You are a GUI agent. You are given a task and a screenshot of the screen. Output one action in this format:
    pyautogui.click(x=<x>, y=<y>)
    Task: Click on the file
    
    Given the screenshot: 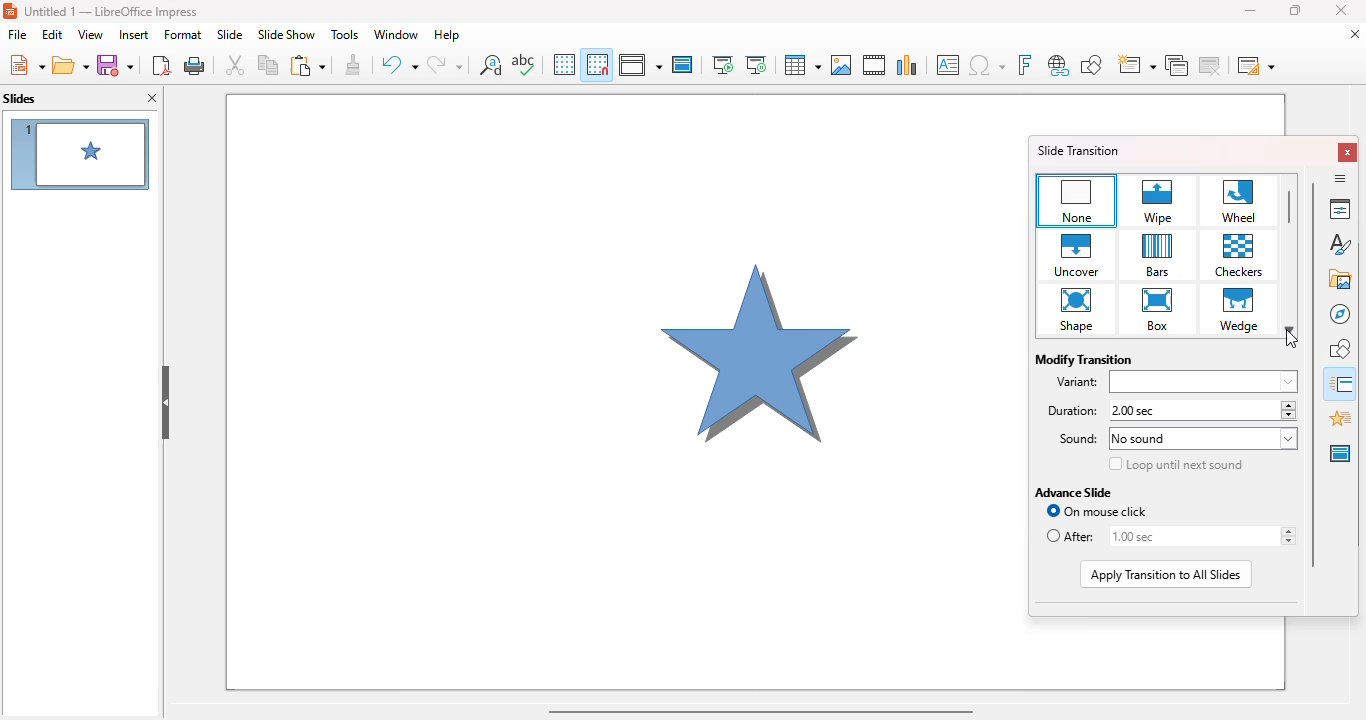 What is the action you would take?
    pyautogui.click(x=18, y=34)
    